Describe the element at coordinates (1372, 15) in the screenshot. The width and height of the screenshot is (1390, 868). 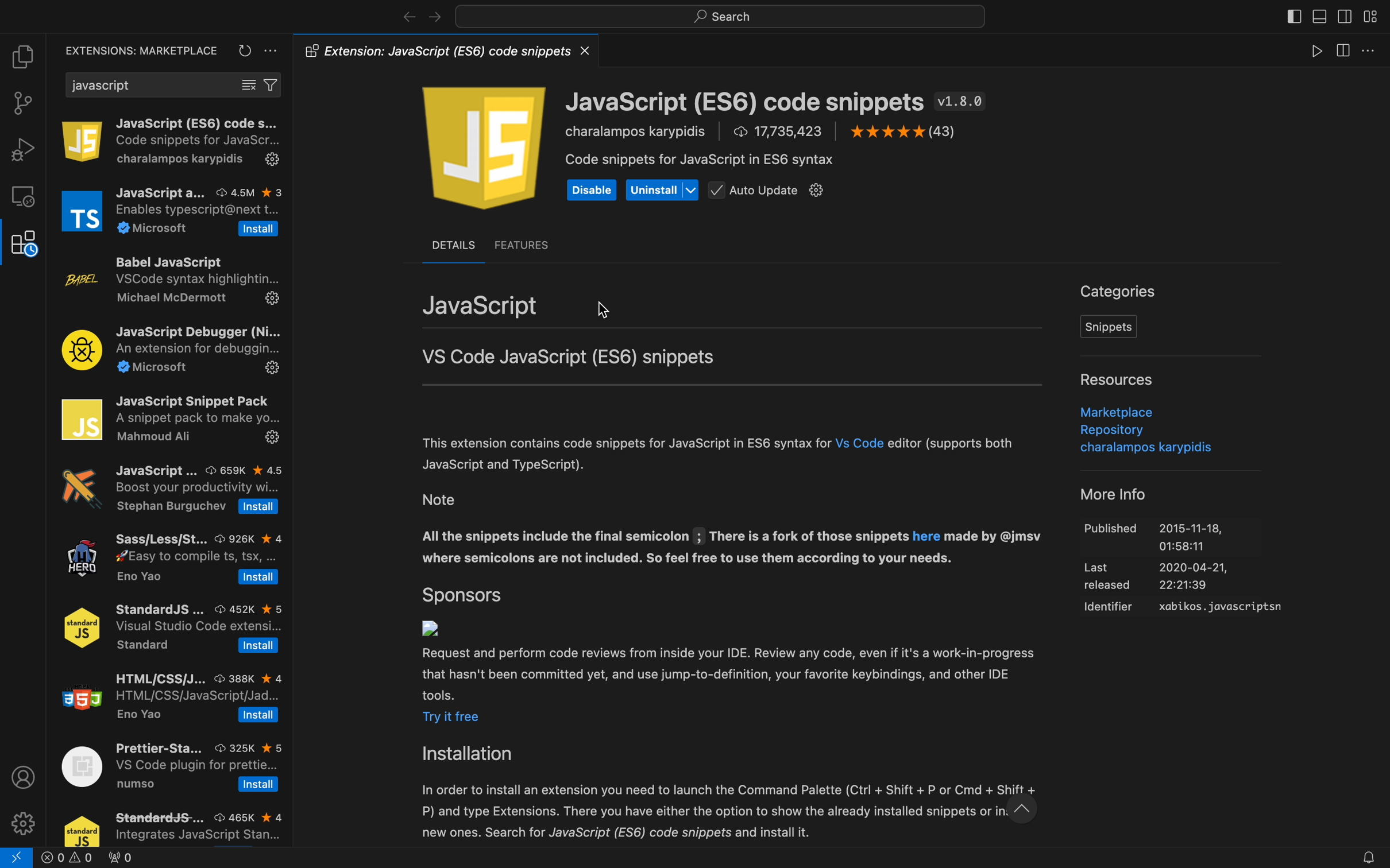
I see `layouts` at that location.